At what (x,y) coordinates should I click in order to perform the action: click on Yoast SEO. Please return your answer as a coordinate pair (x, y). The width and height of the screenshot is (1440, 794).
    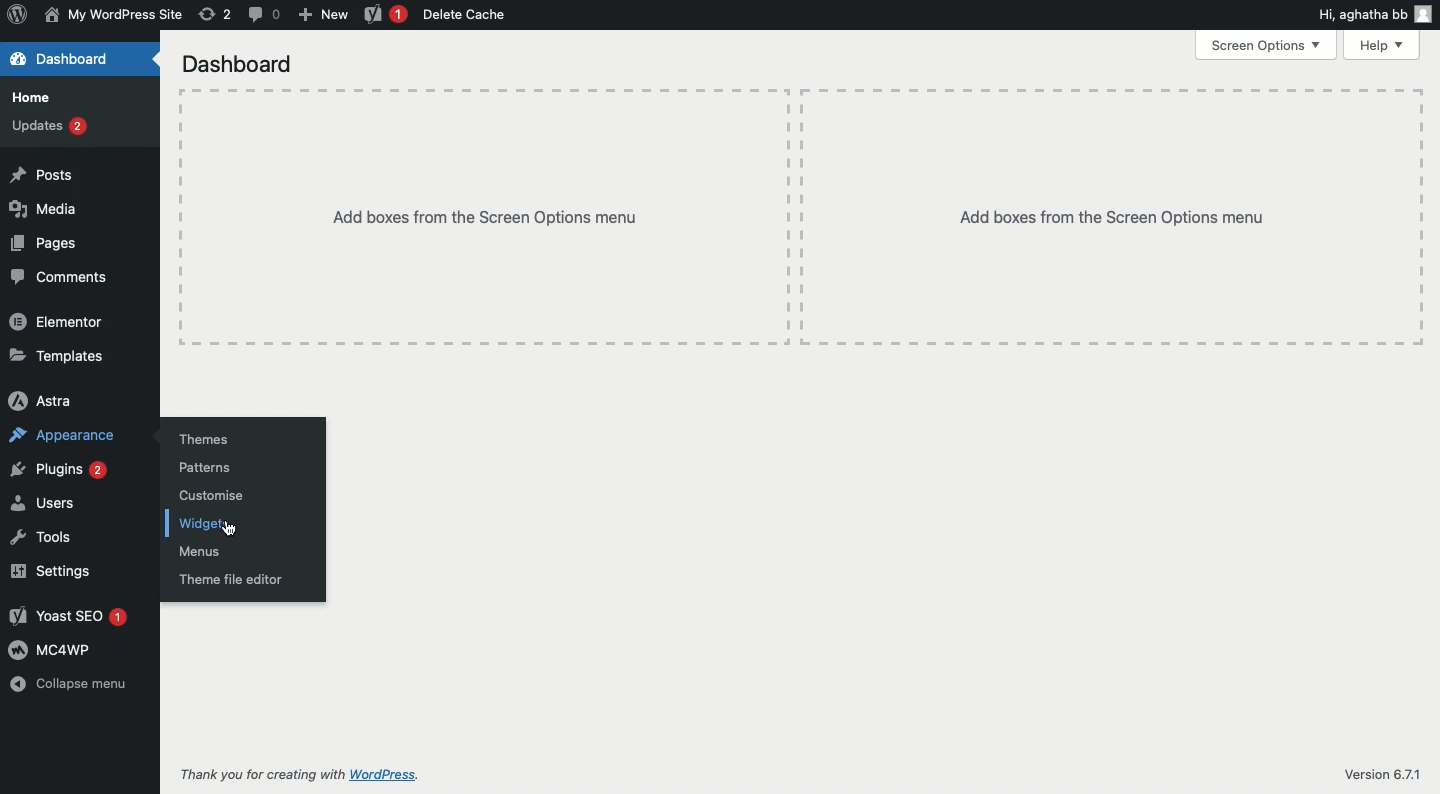
    Looking at the image, I should click on (69, 617).